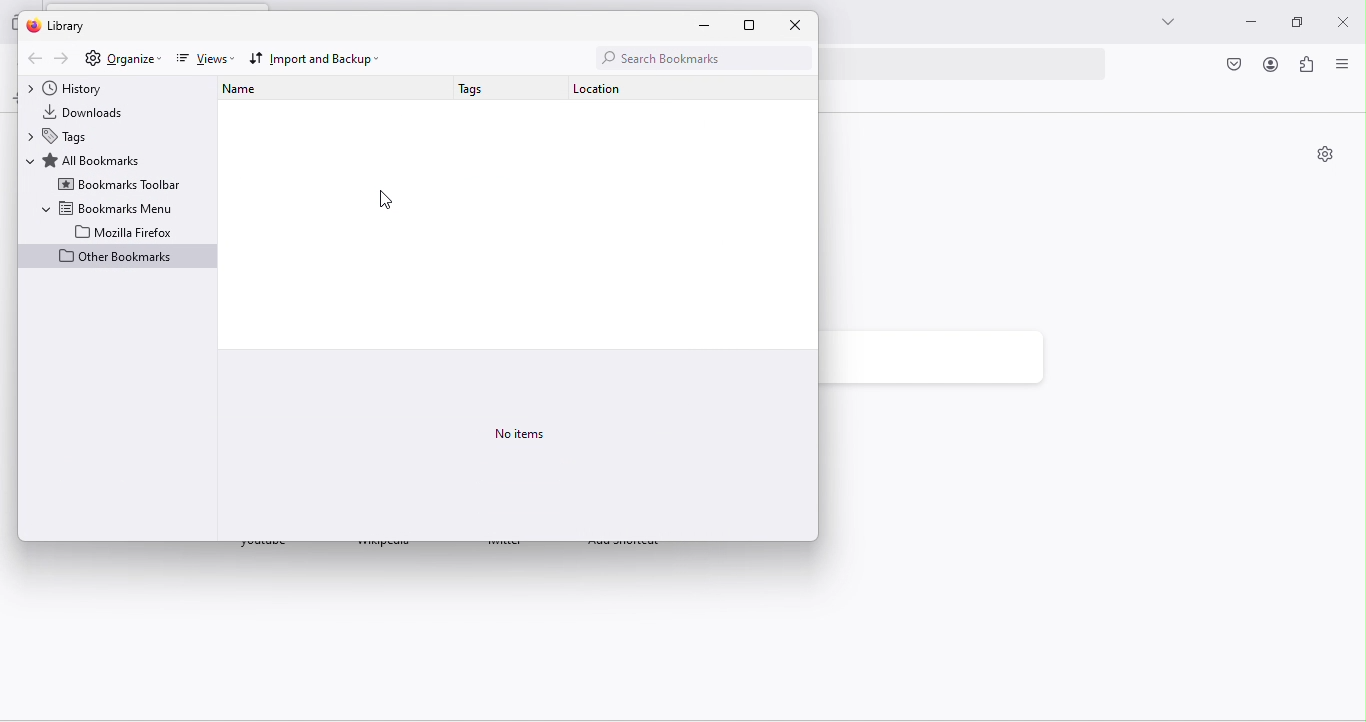  Describe the element at coordinates (91, 59) in the screenshot. I see `settings` at that location.